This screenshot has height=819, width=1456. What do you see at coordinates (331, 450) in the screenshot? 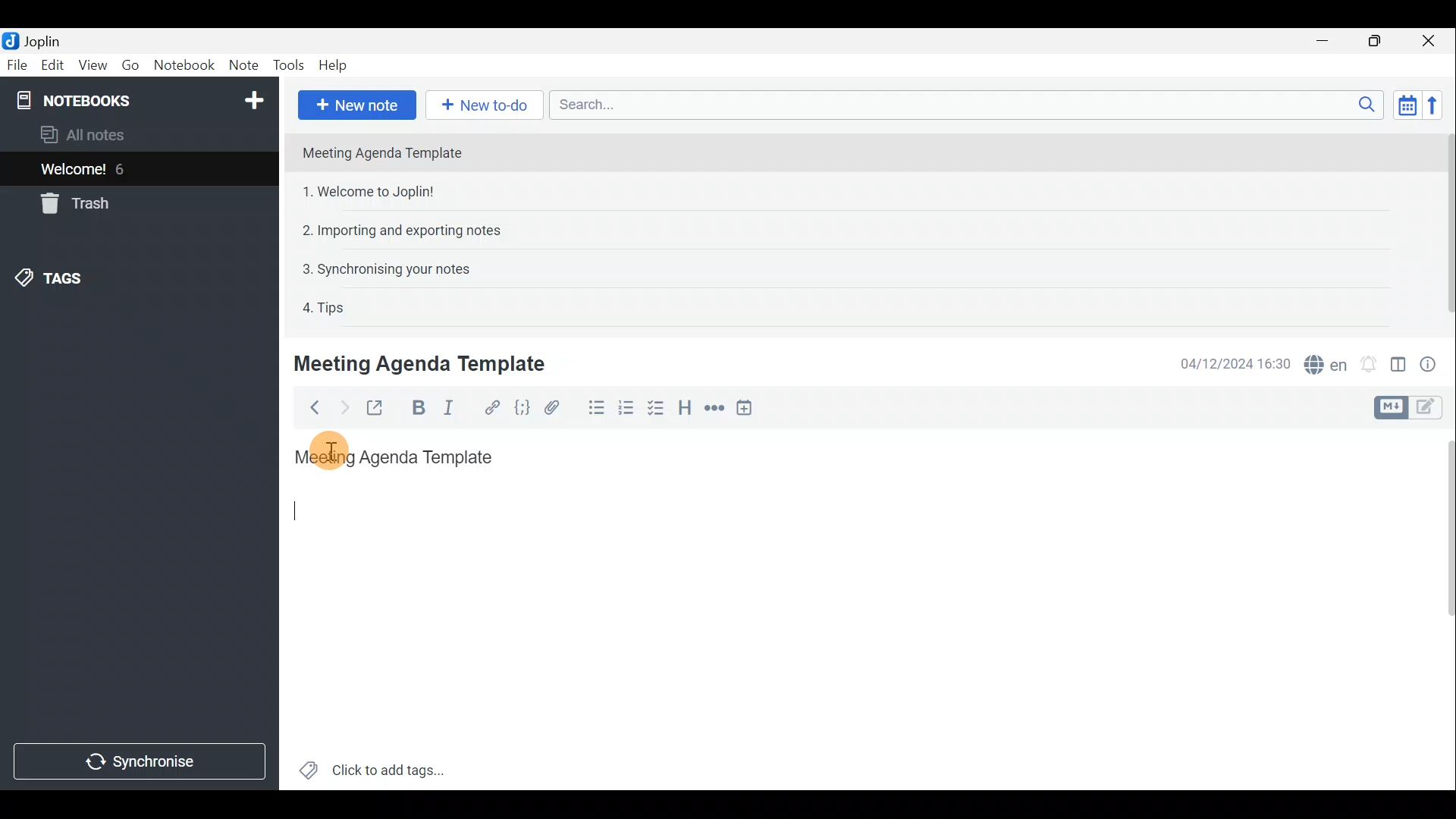
I see `` at bounding box center [331, 450].